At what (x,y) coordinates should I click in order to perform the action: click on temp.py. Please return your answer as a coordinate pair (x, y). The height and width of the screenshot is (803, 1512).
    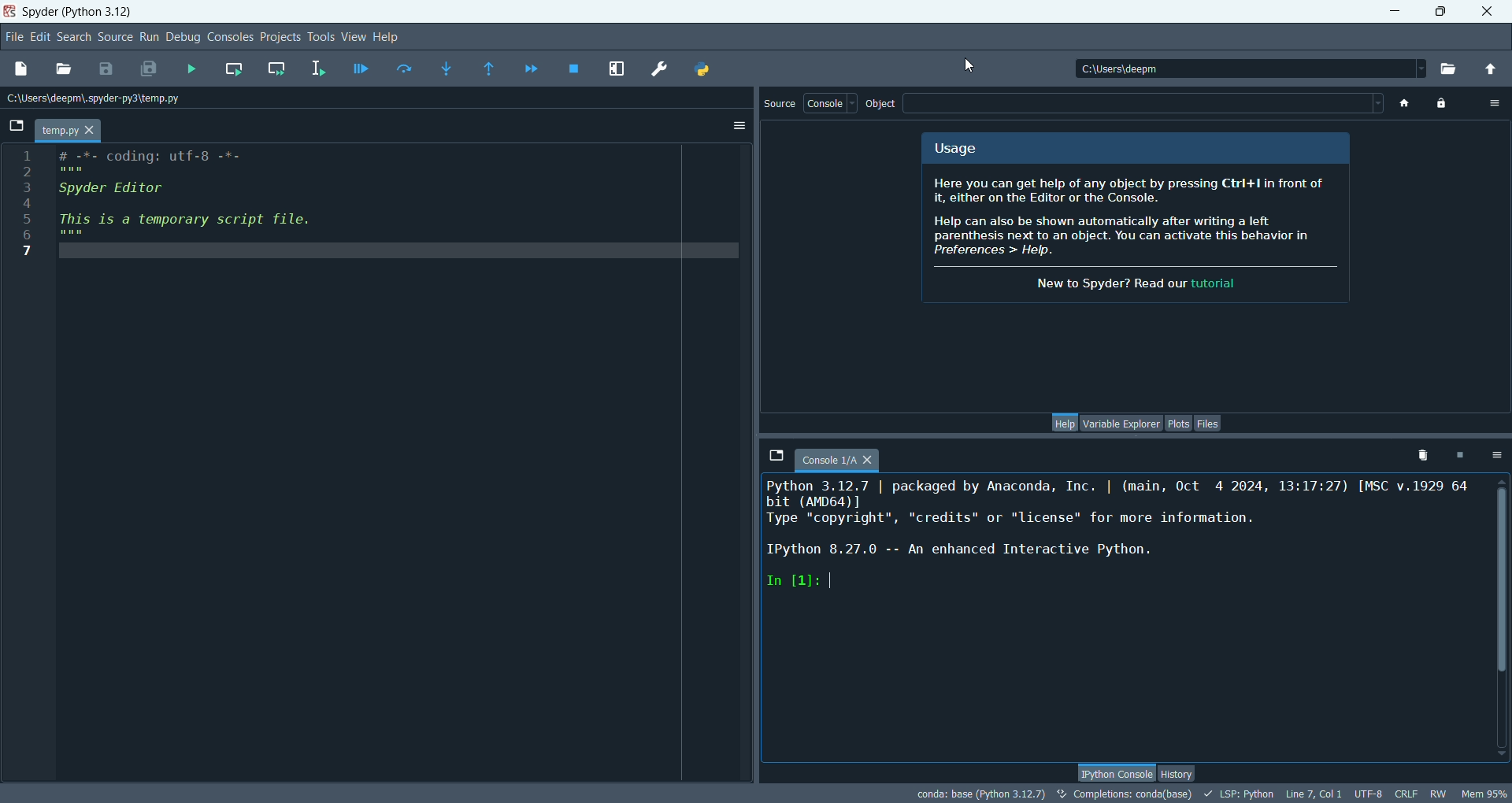
    Looking at the image, I should click on (72, 132).